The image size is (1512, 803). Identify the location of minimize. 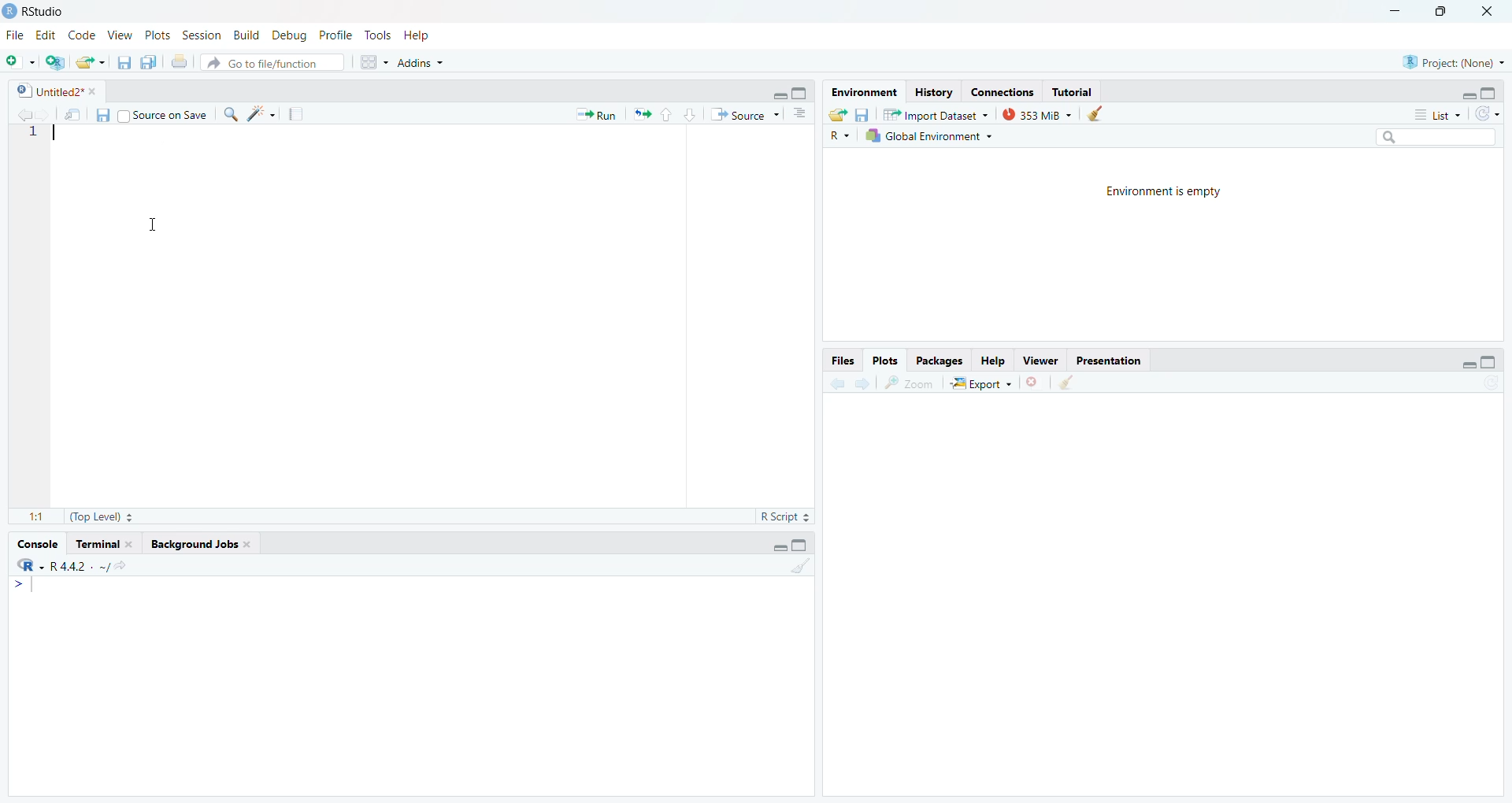
(1393, 9).